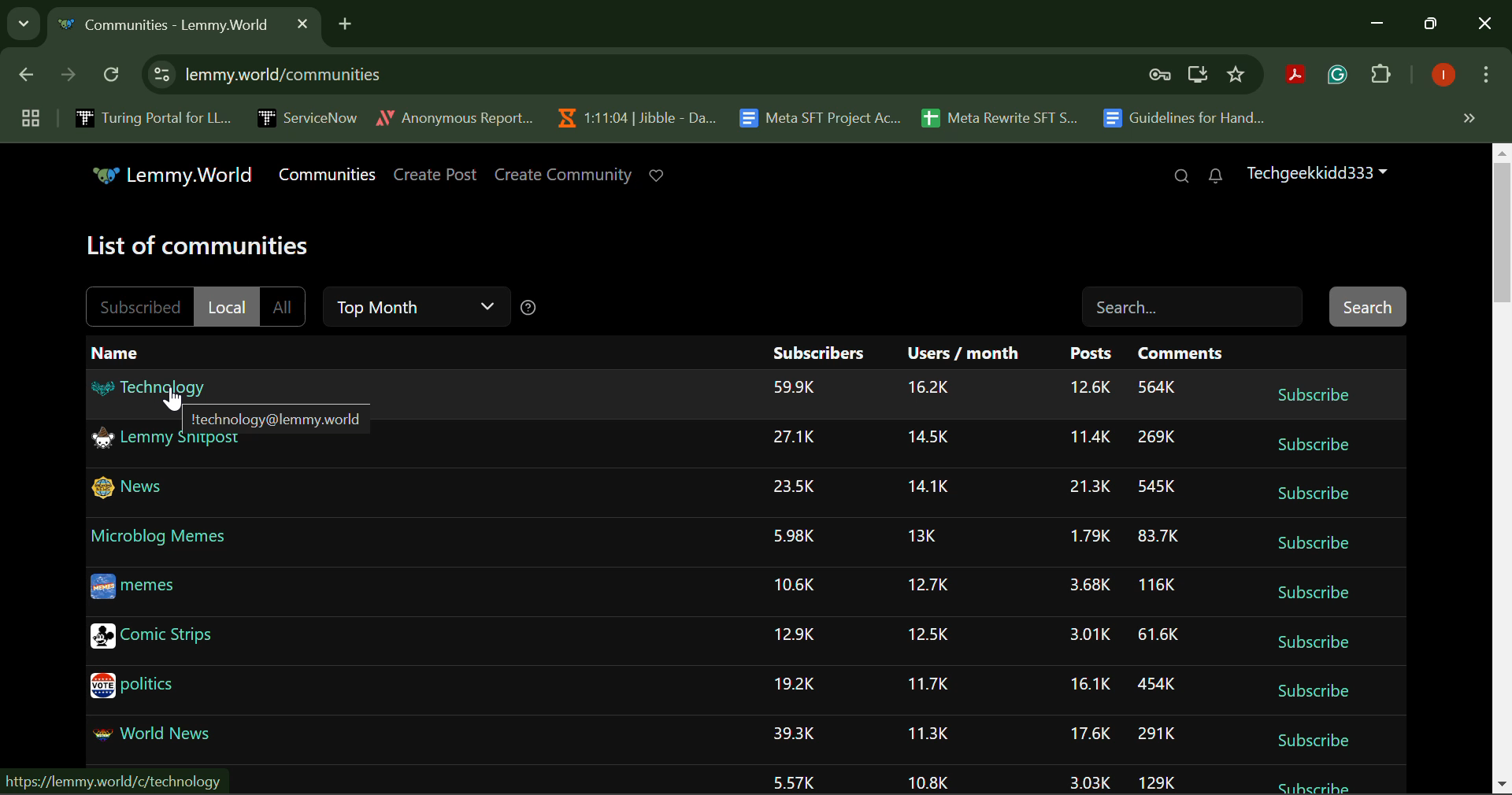  I want to click on Create Community, so click(564, 176).